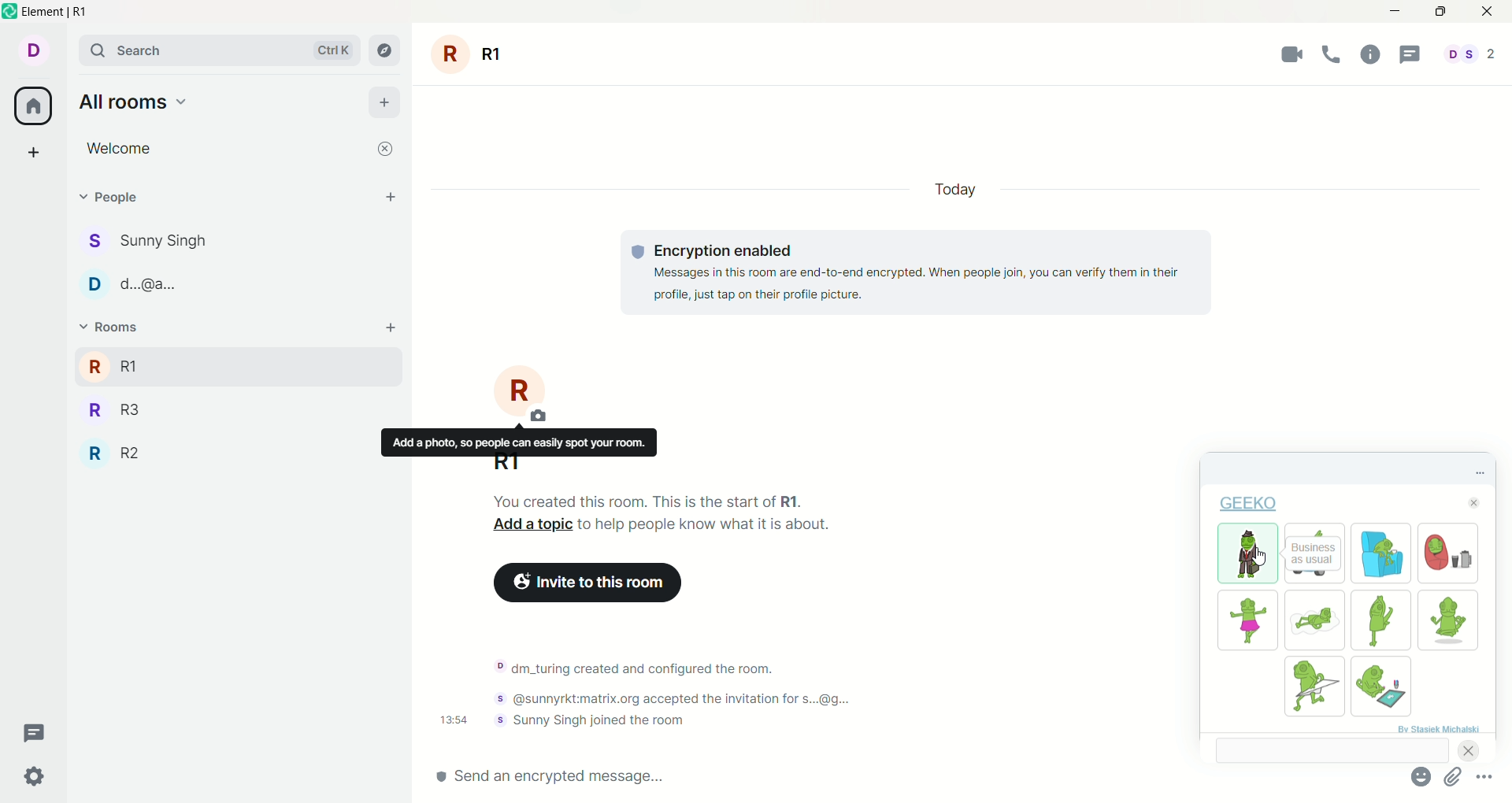 The height and width of the screenshot is (803, 1512). What do you see at coordinates (54, 12) in the screenshot?
I see `Element | R1` at bounding box center [54, 12].